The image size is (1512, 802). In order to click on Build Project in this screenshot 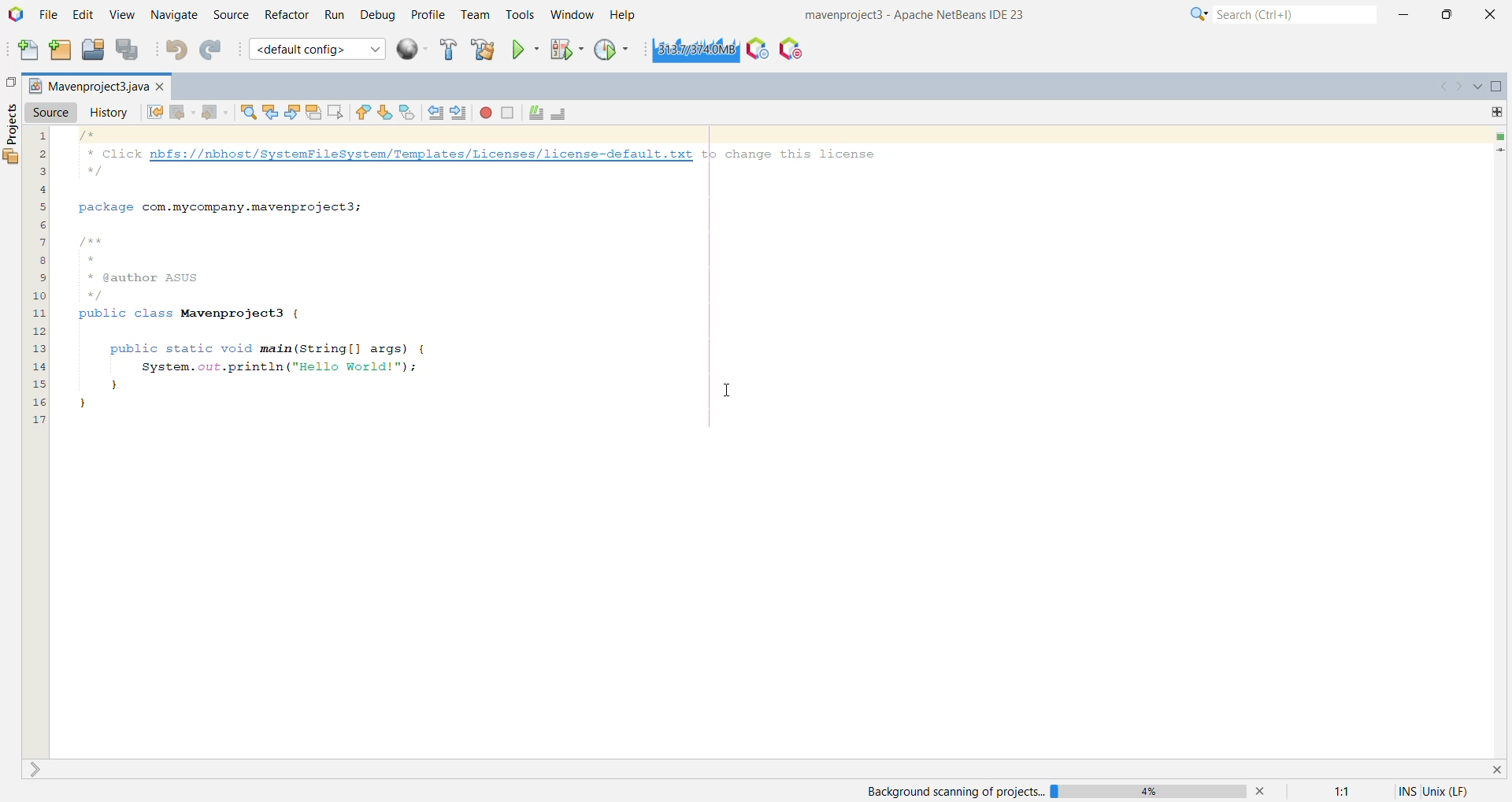, I will do `click(447, 51)`.